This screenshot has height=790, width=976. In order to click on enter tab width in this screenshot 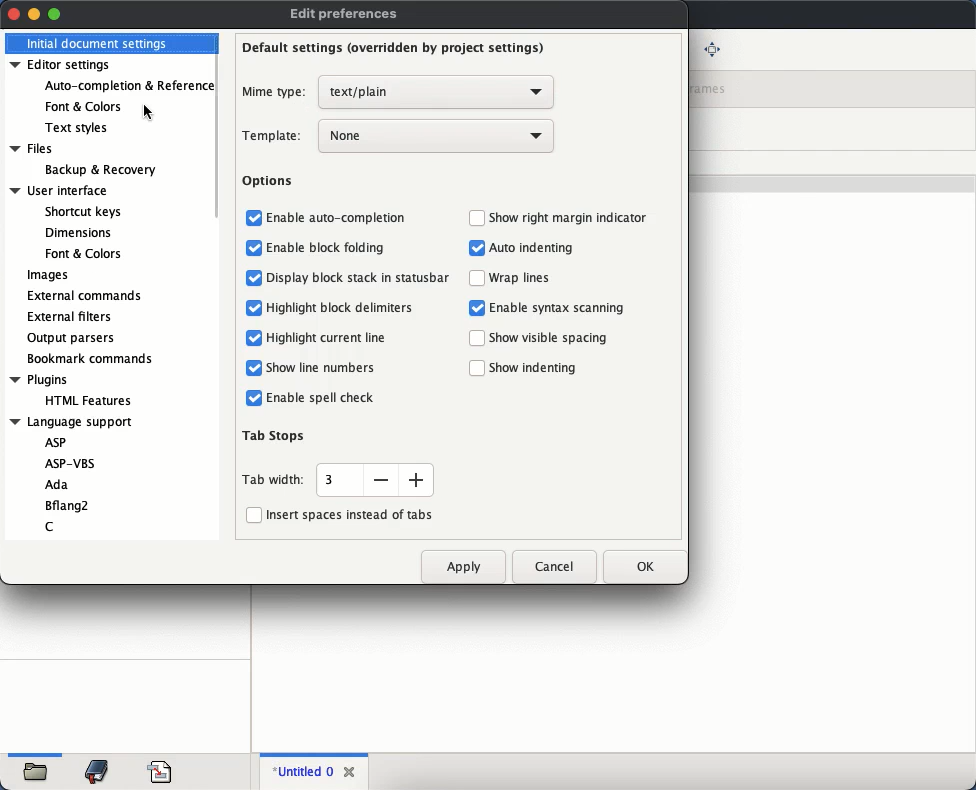, I will do `click(338, 480)`.